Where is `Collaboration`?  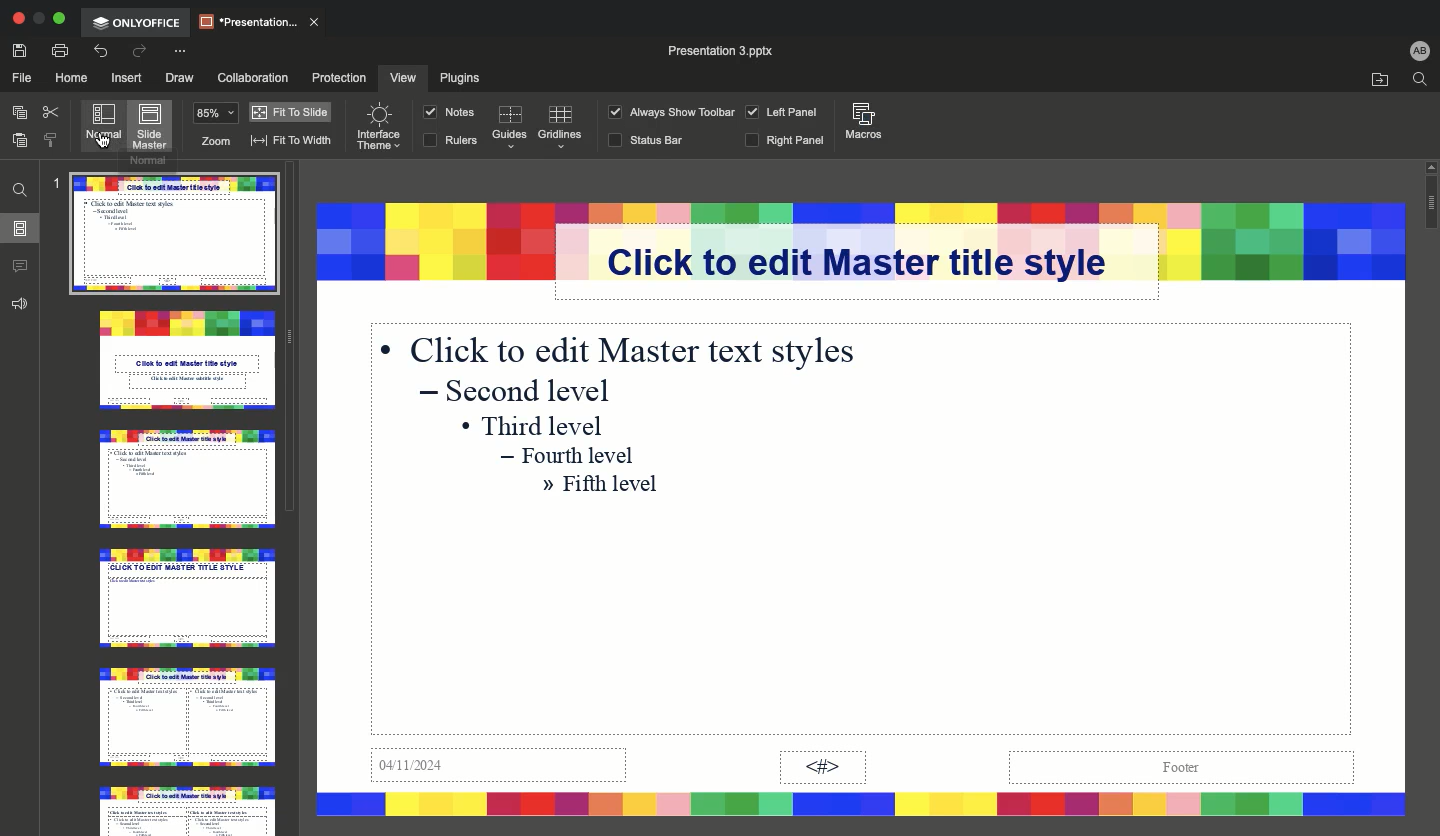 Collaboration is located at coordinates (252, 77).